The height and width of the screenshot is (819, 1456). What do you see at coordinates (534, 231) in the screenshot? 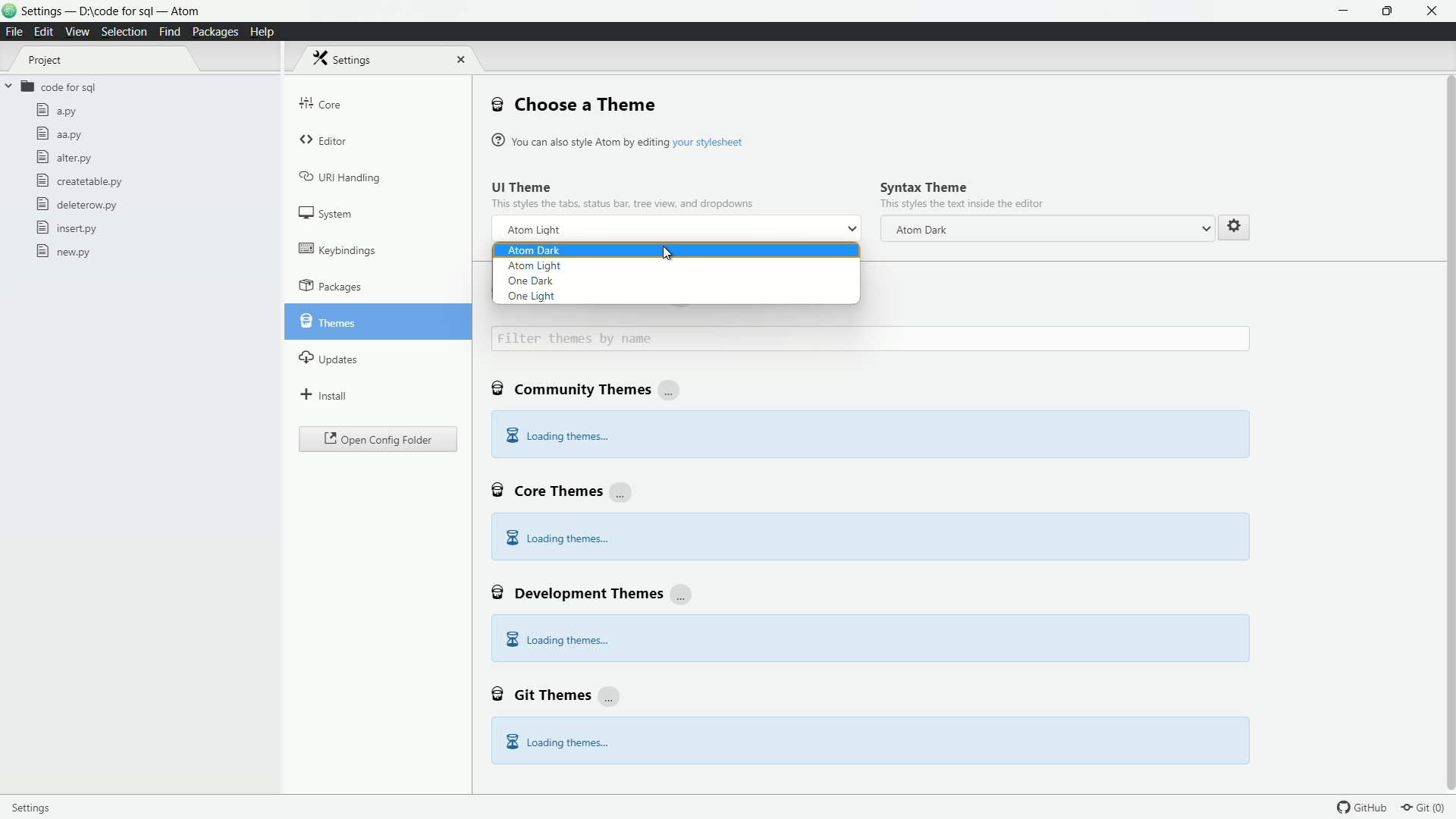
I see `atom light` at bounding box center [534, 231].